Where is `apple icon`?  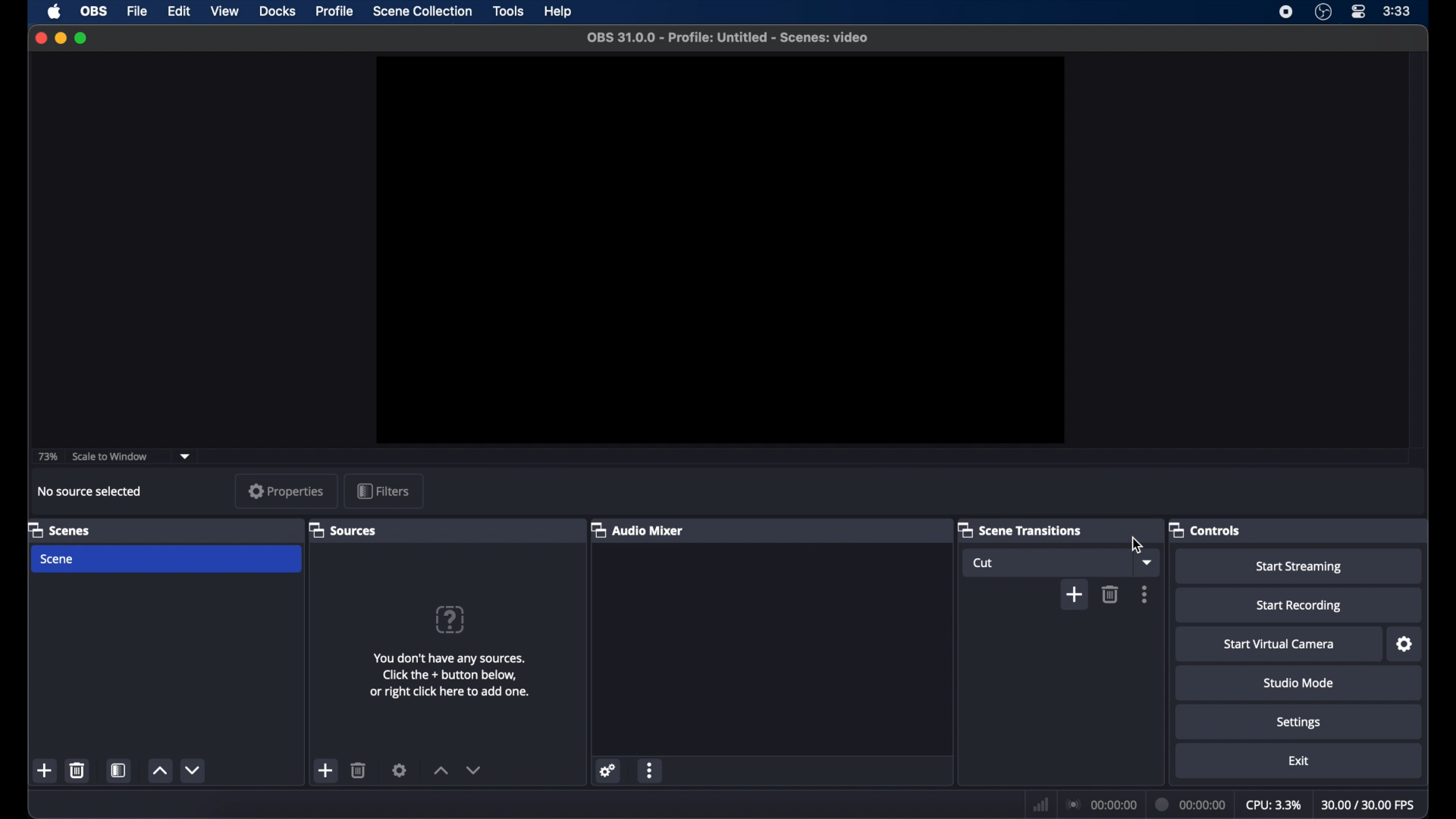
apple icon is located at coordinates (55, 12).